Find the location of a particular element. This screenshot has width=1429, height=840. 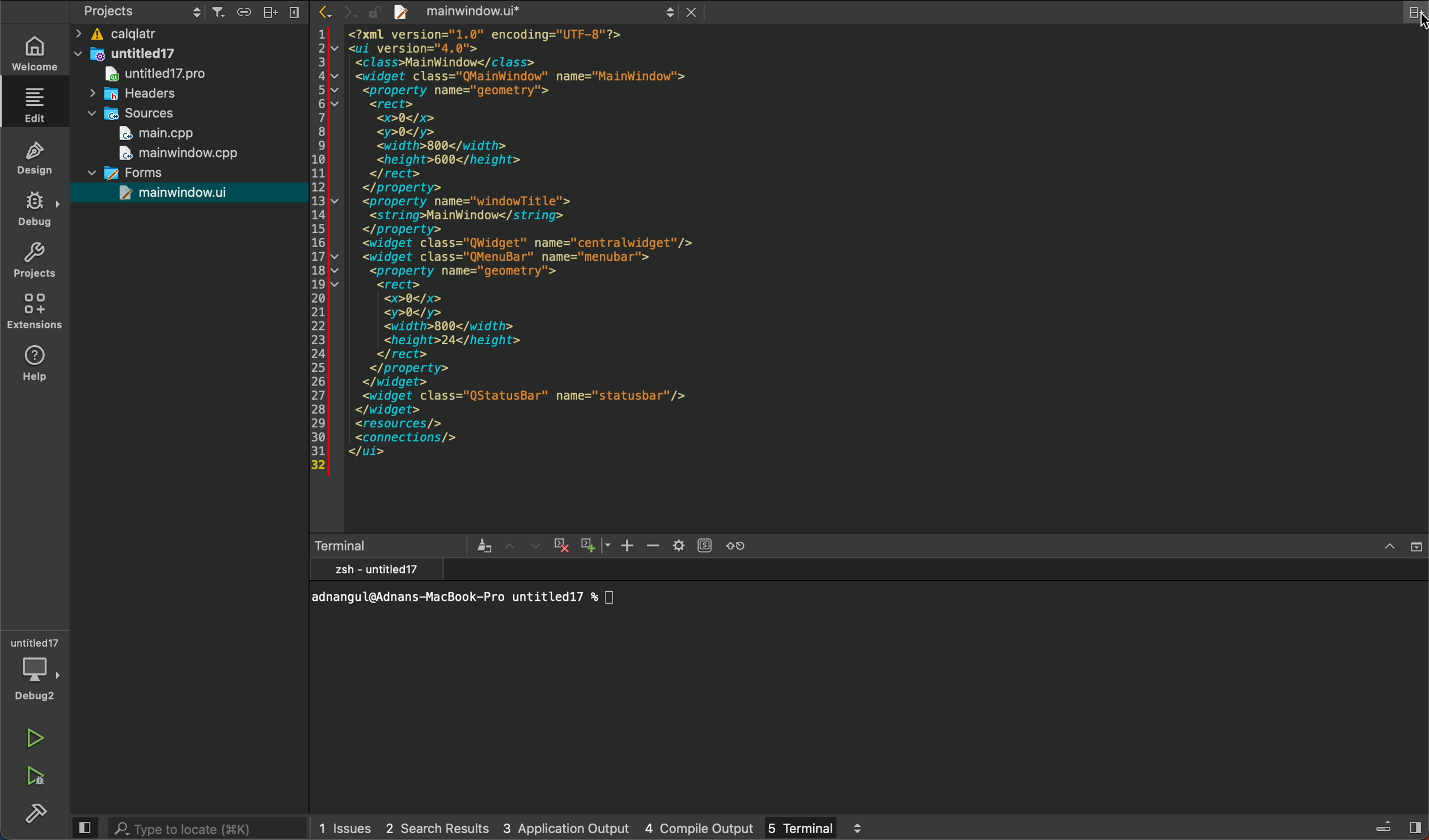

file content is located at coordinates (653, 274).